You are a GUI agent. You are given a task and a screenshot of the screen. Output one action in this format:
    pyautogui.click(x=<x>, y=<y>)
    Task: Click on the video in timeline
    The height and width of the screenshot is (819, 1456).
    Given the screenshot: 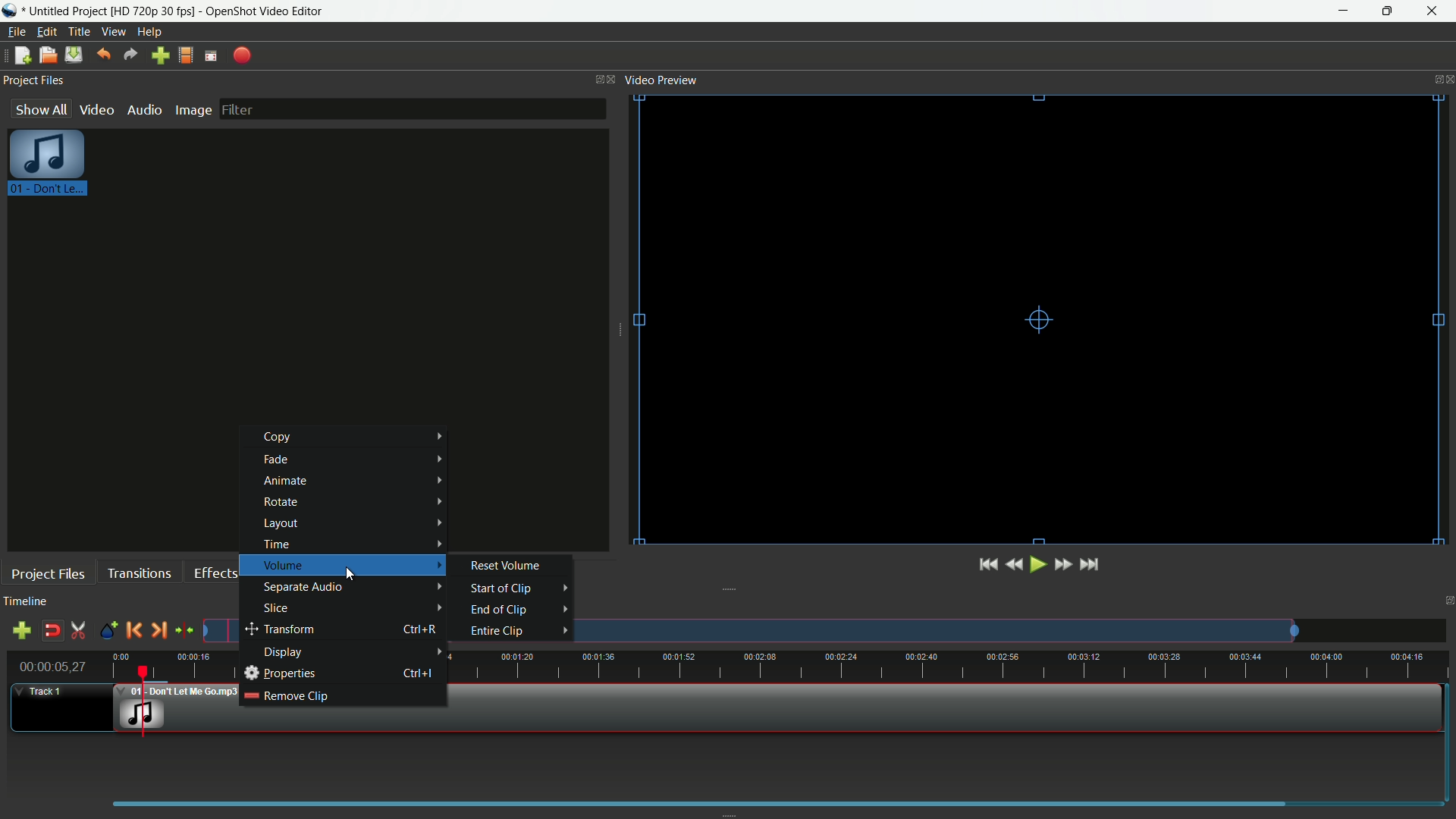 What is the action you would take?
    pyautogui.click(x=902, y=708)
    